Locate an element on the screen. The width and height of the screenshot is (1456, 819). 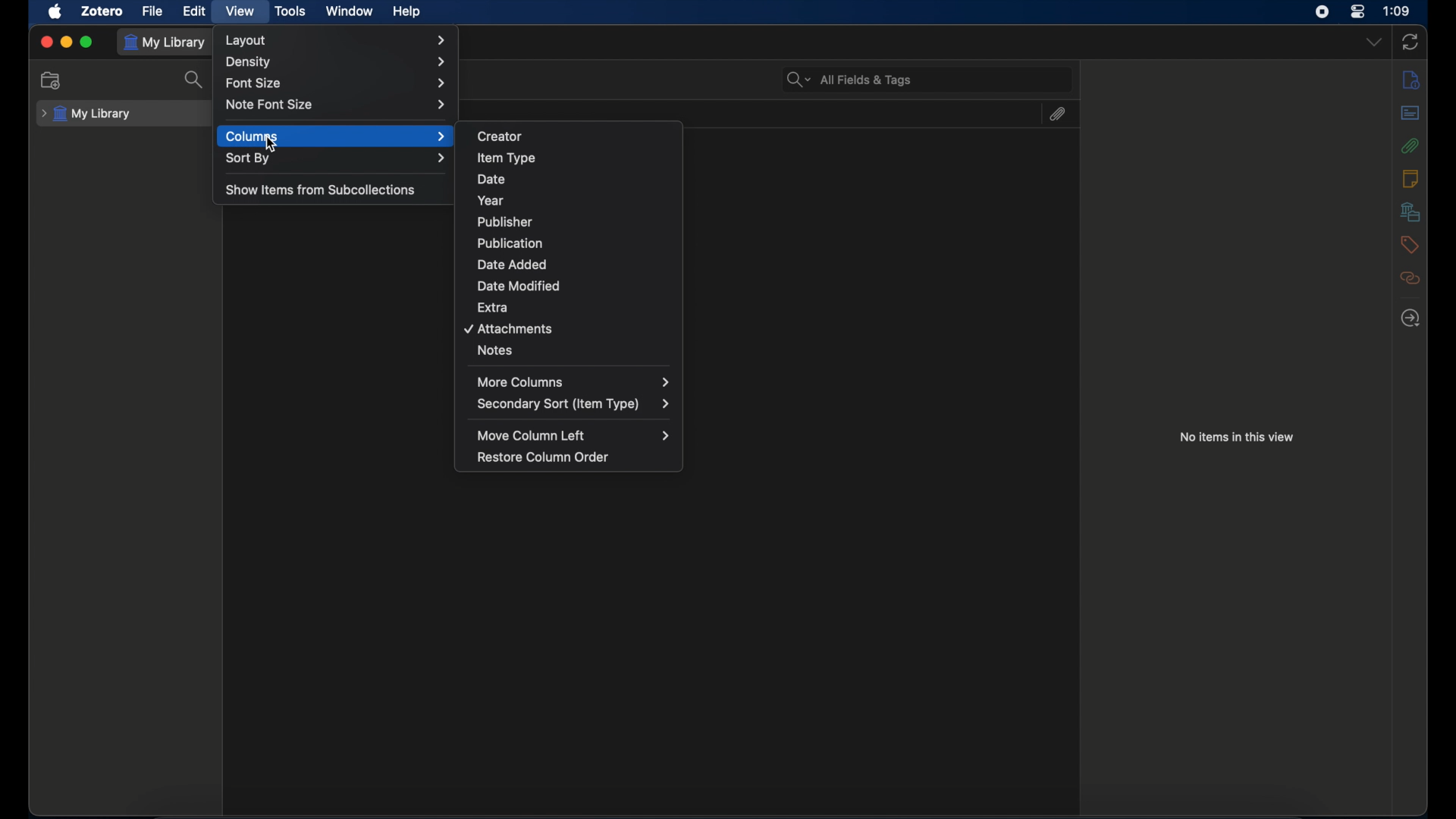
screen recorder is located at coordinates (1323, 12).